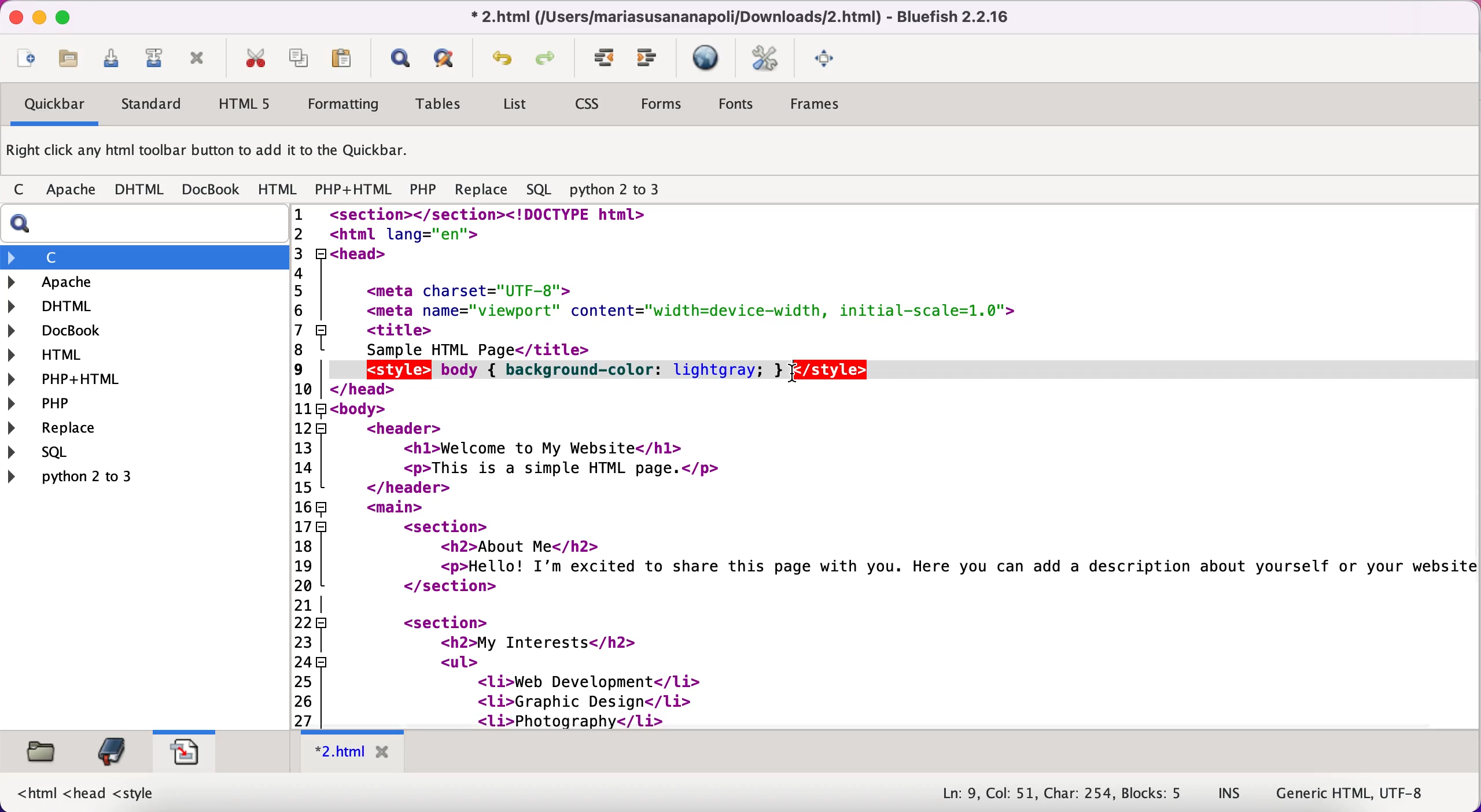 This screenshot has height=812, width=1481. What do you see at coordinates (184, 749) in the screenshot?
I see `snippets` at bounding box center [184, 749].